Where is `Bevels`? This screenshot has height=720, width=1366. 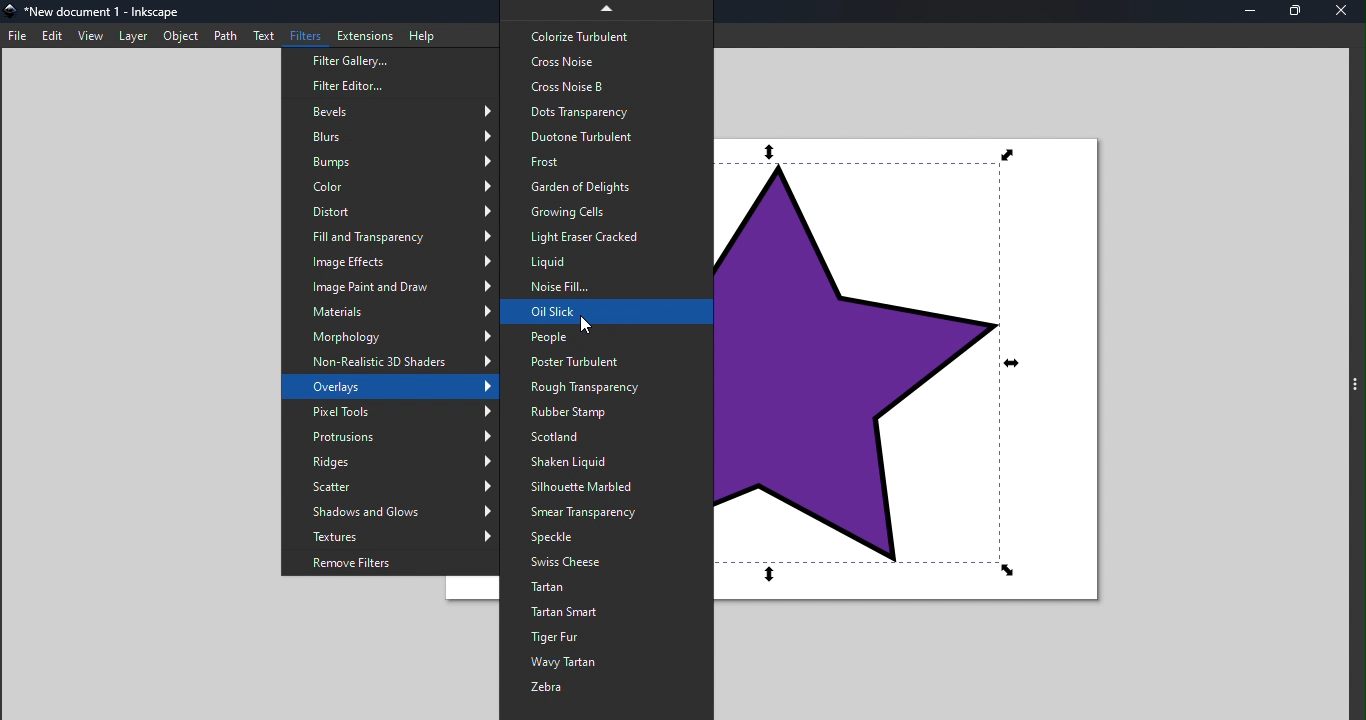 Bevels is located at coordinates (388, 110).